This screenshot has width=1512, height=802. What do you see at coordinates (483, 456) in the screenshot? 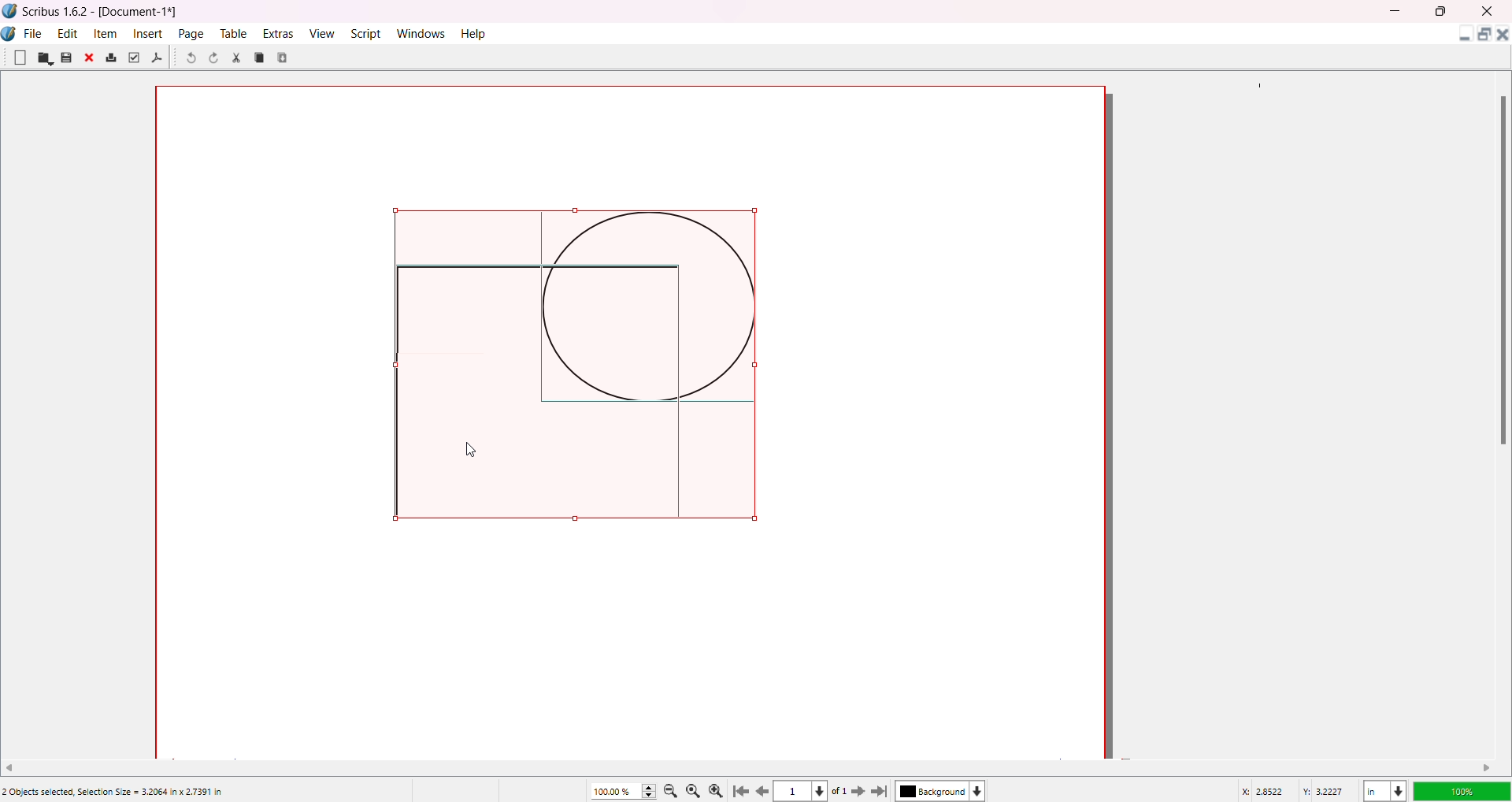
I see `cursor` at bounding box center [483, 456].